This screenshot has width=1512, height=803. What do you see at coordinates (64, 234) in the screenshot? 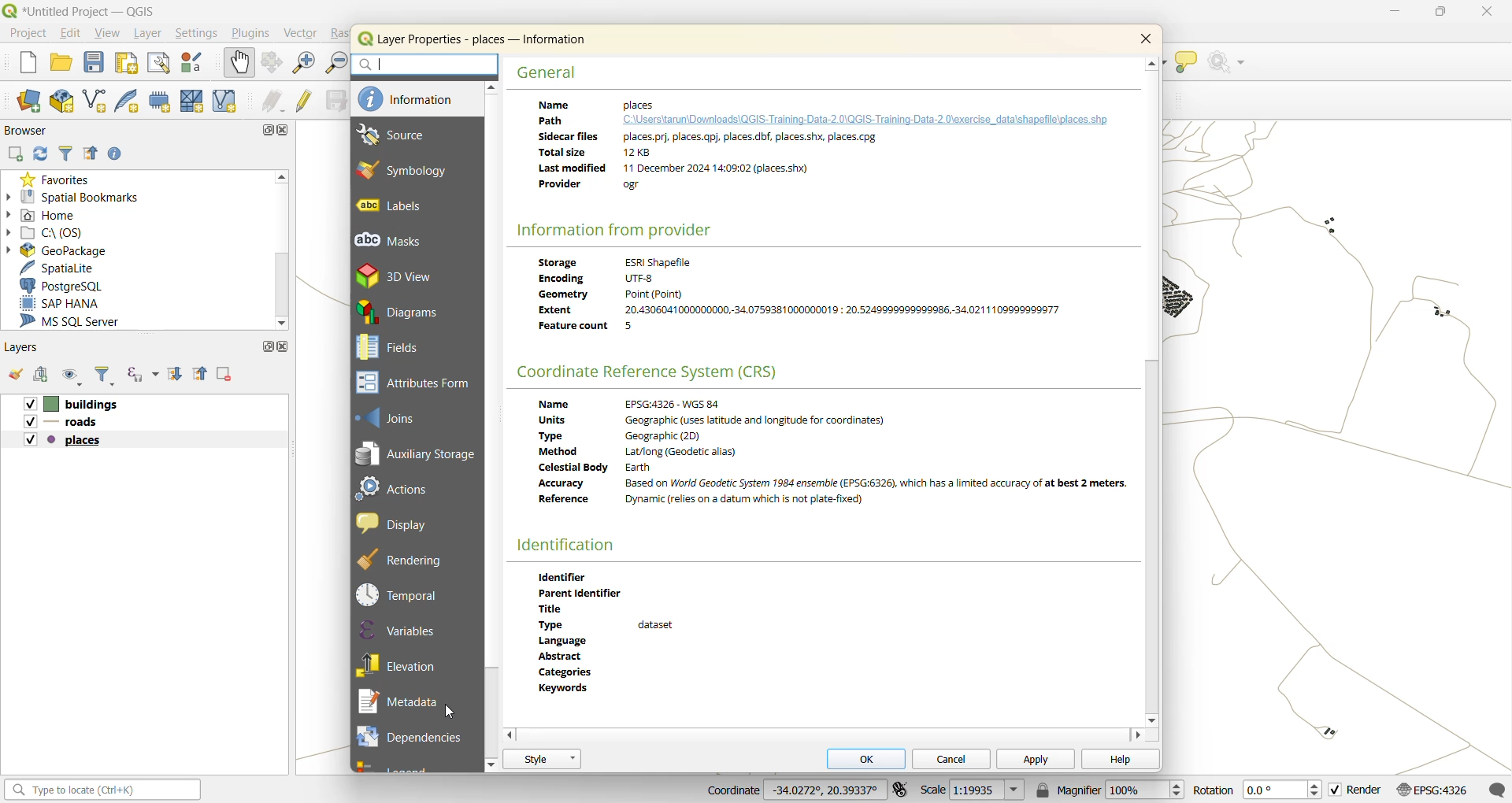
I see `c\:os` at bounding box center [64, 234].